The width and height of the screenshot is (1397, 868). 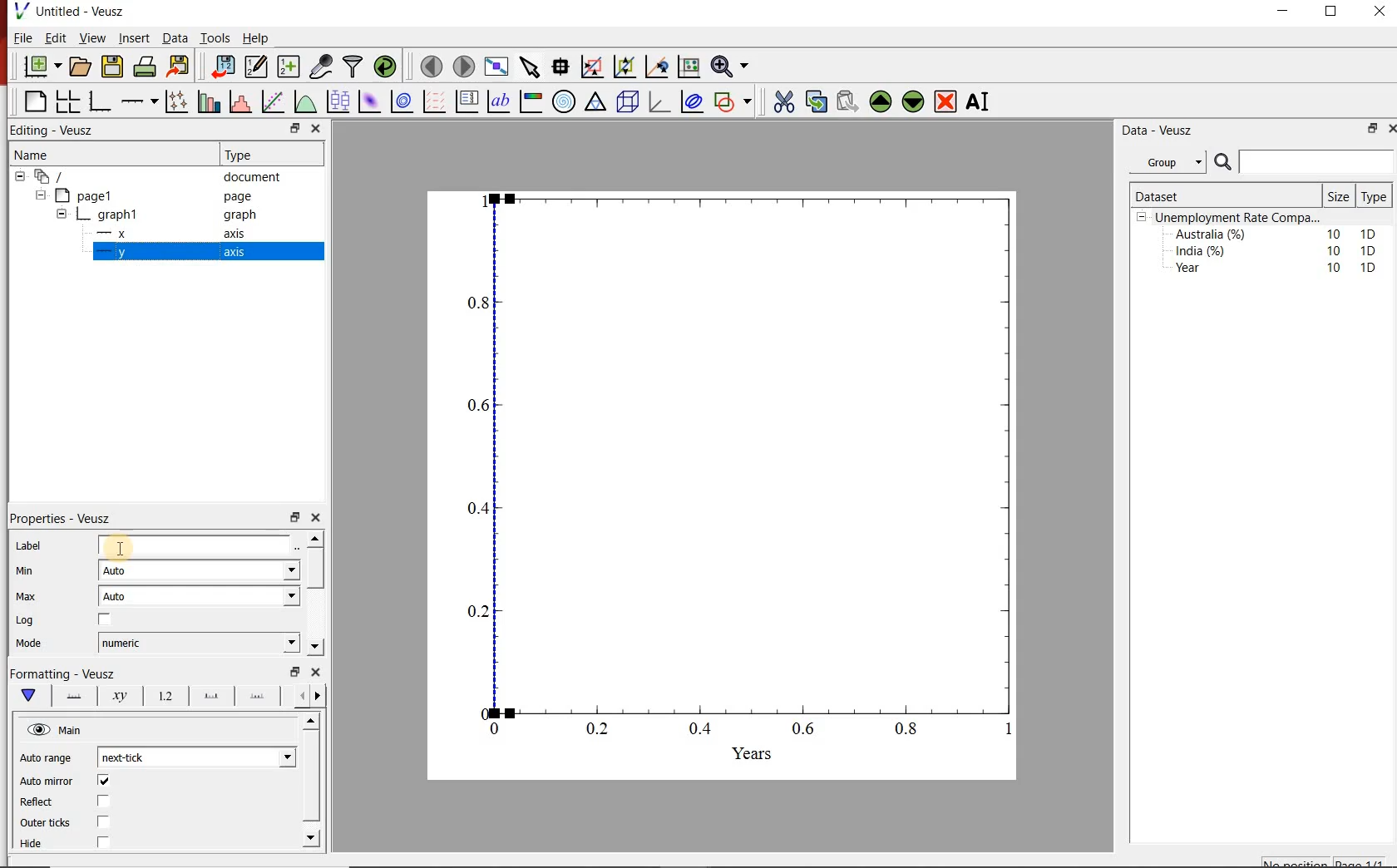 I want to click on filter data, so click(x=352, y=67).